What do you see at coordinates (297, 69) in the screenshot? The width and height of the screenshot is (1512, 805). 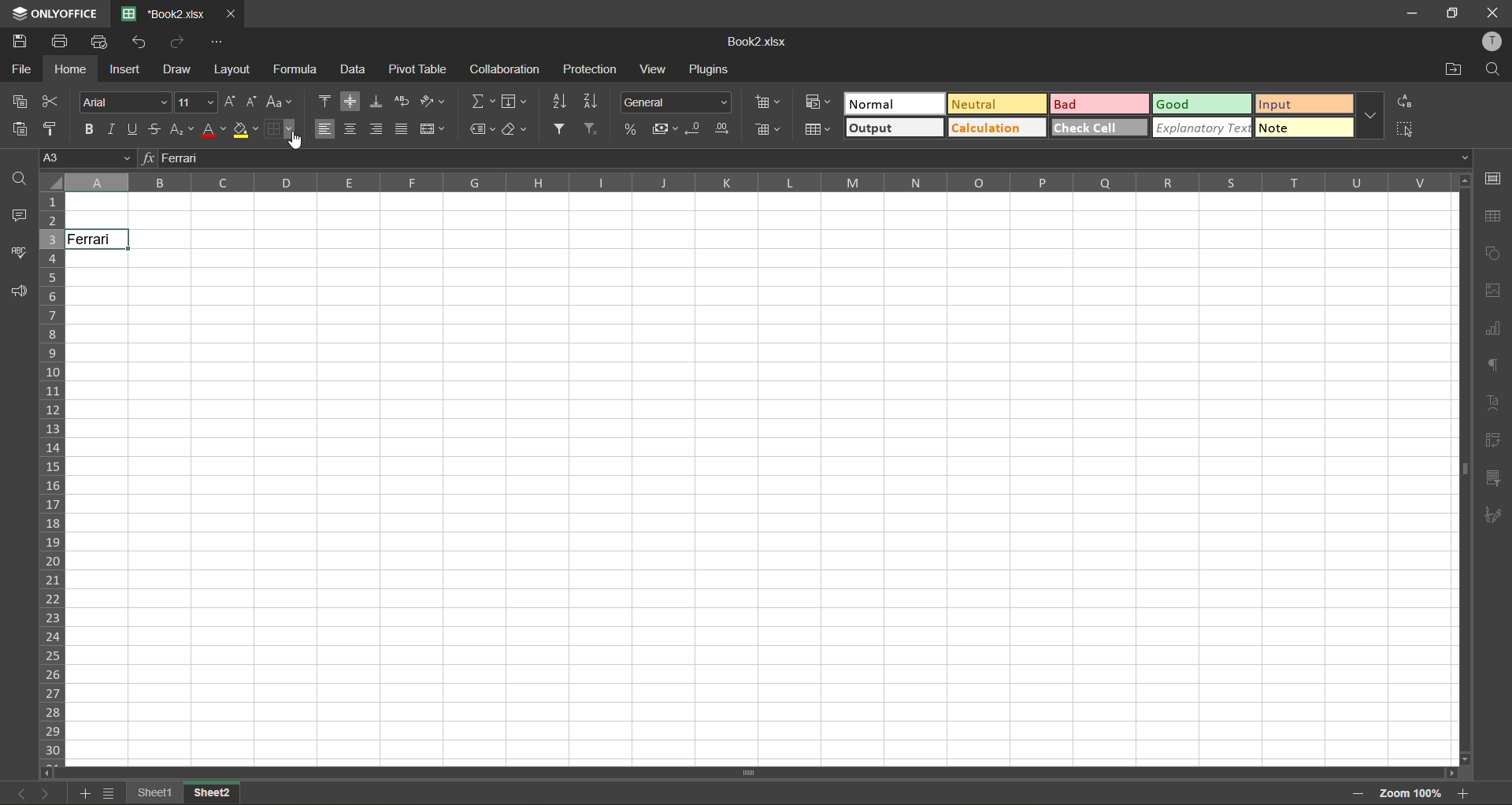 I see `formula` at bounding box center [297, 69].